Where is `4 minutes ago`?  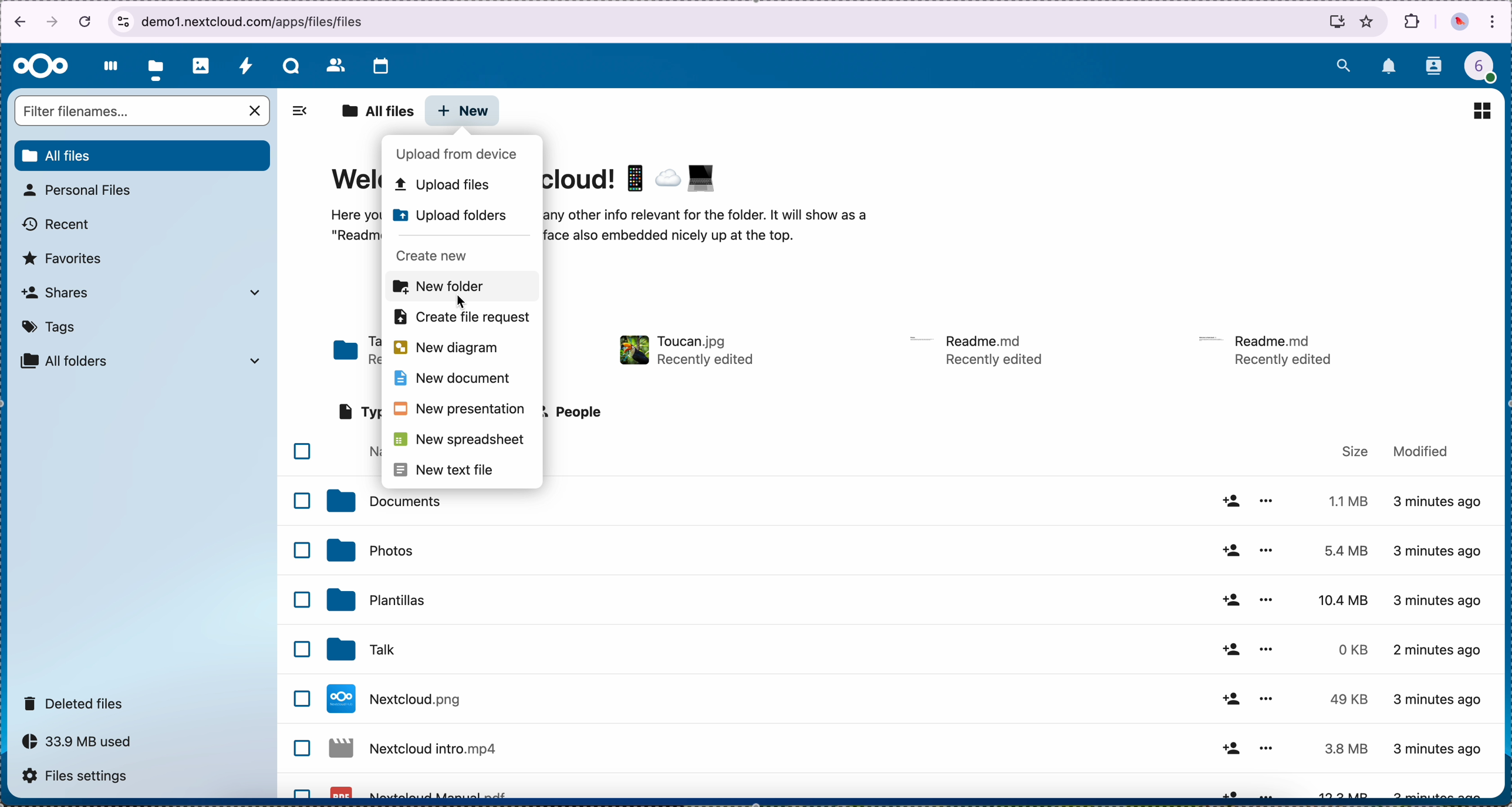 4 minutes ago is located at coordinates (1444, 698).